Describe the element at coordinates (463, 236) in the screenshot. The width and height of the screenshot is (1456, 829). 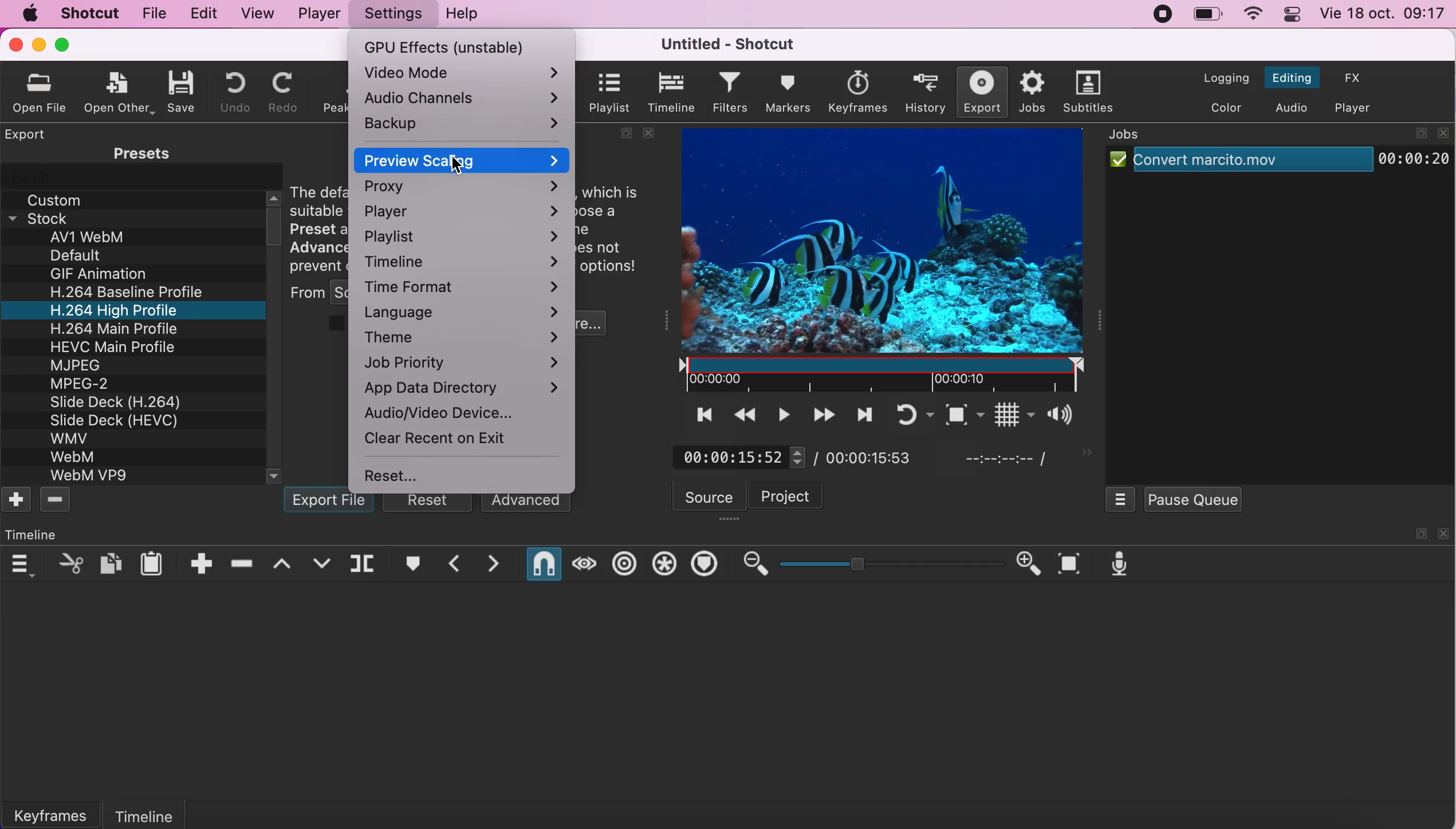
I see `playlist` at that location.